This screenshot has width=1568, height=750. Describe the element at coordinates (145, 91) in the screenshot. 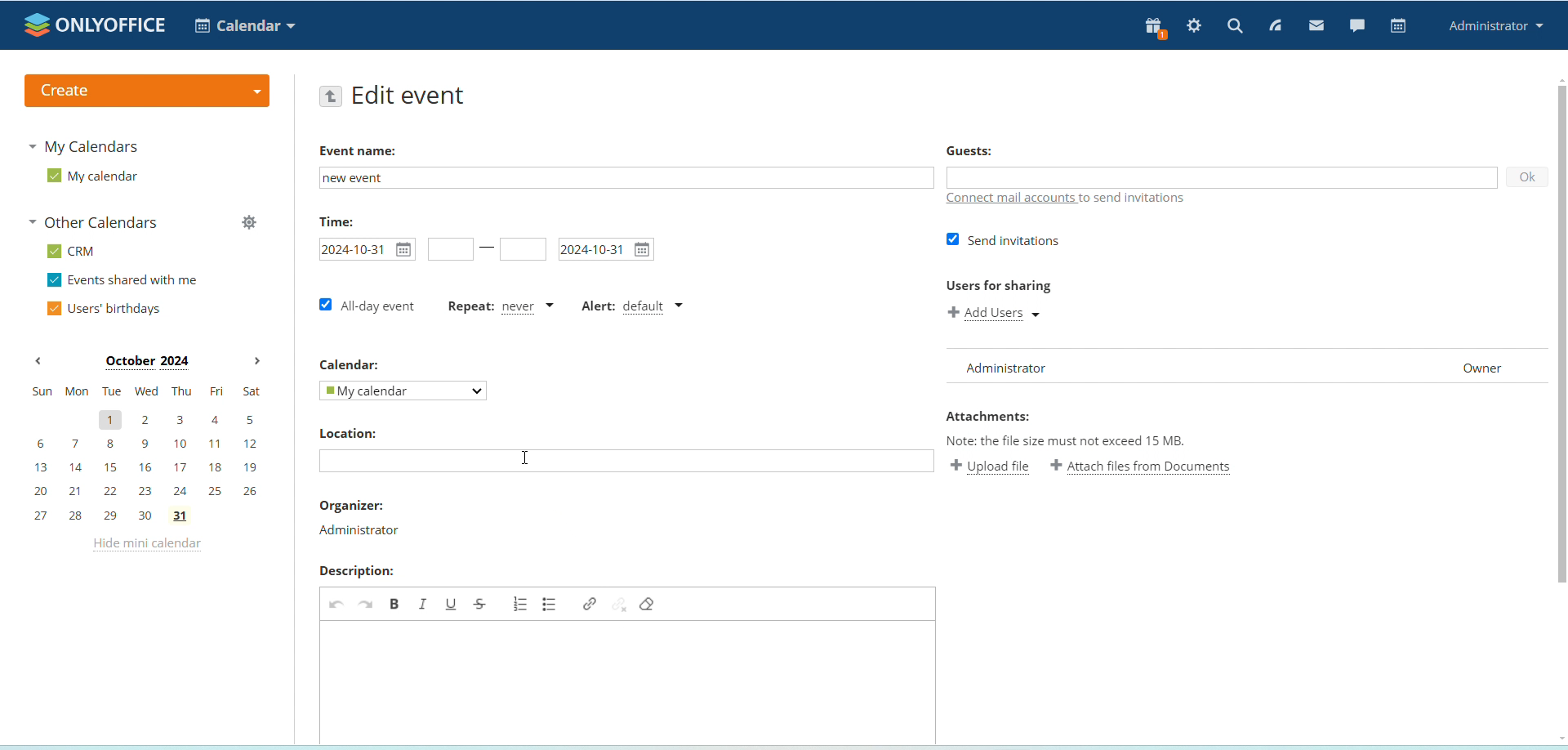

I see `create` at that location.